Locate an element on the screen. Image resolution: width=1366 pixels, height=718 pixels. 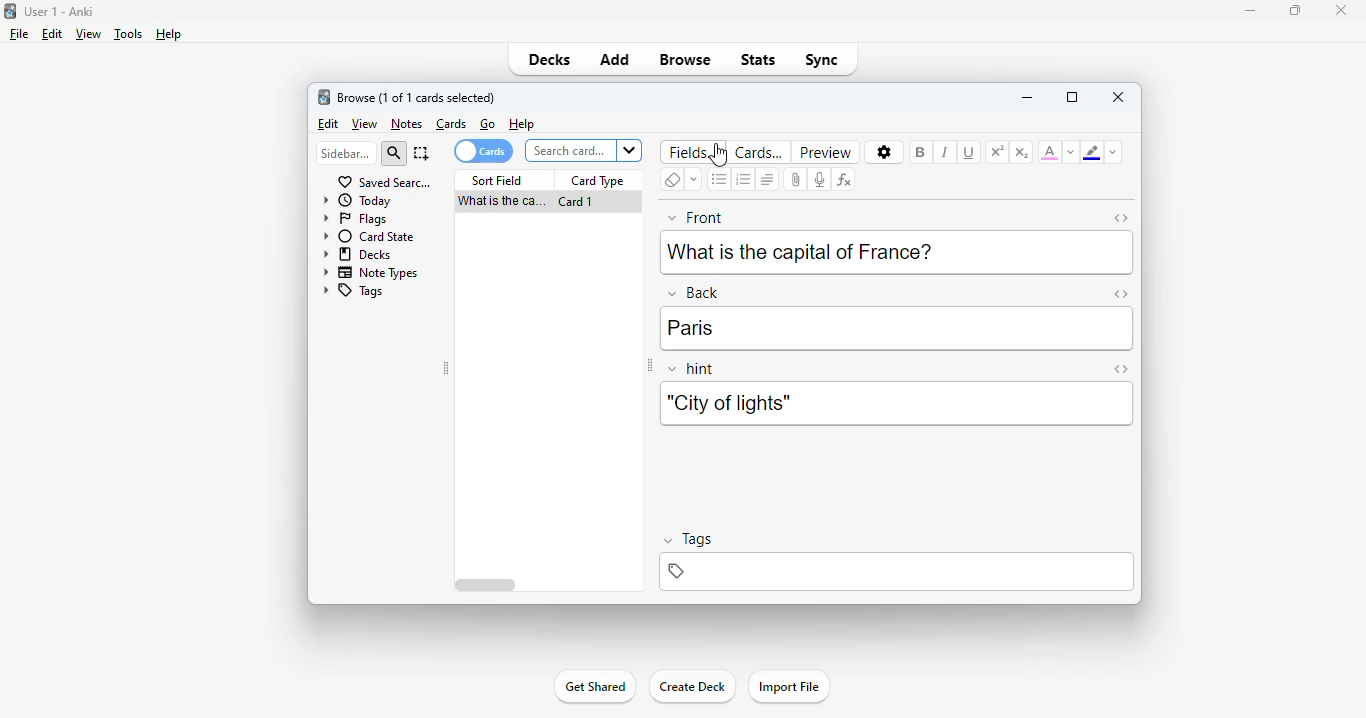
browse (1 of 1 cards selected) is located at coordinates (417, 97).